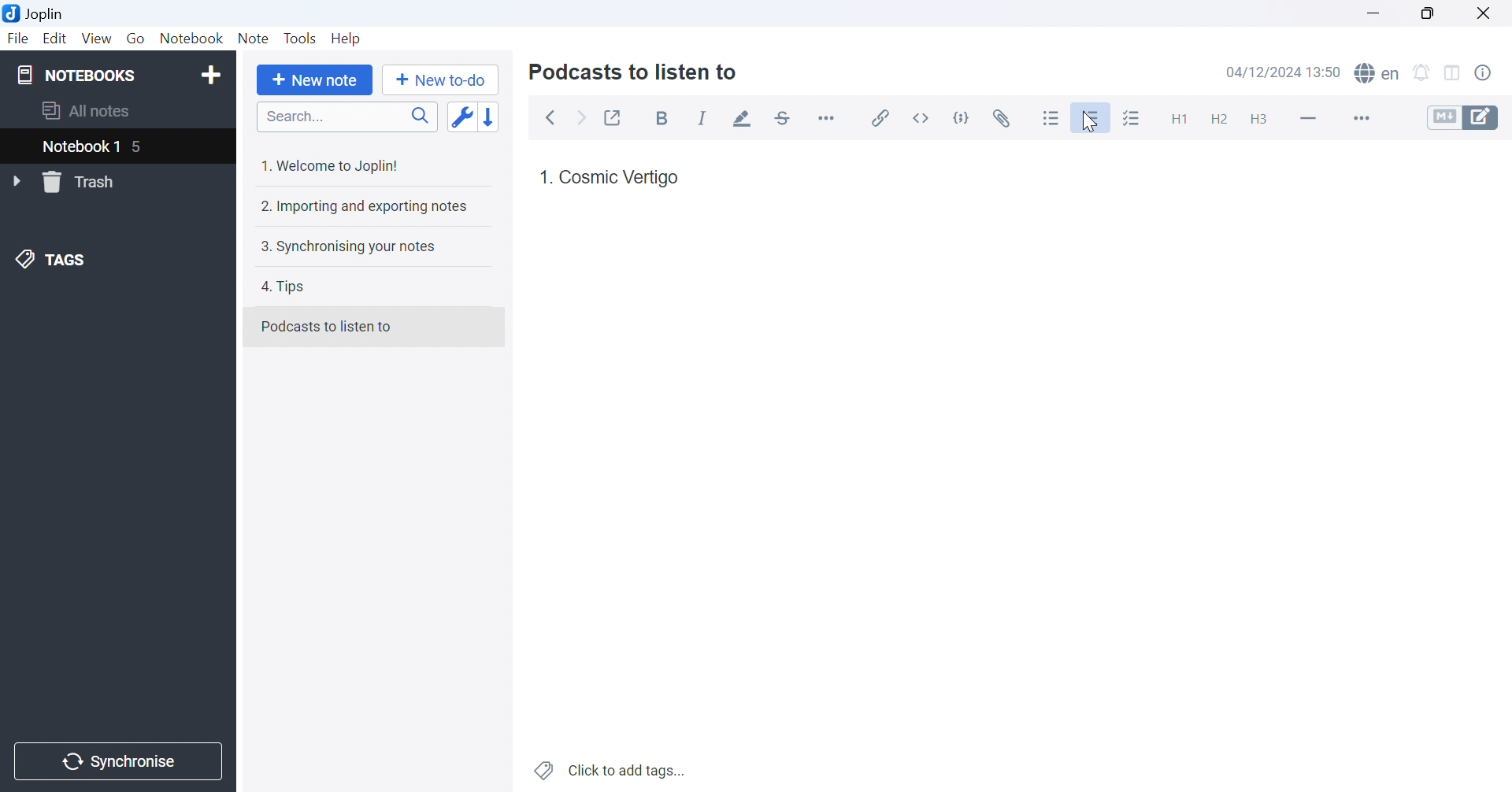  I want to click on Heading 2, so click(1218, 117).